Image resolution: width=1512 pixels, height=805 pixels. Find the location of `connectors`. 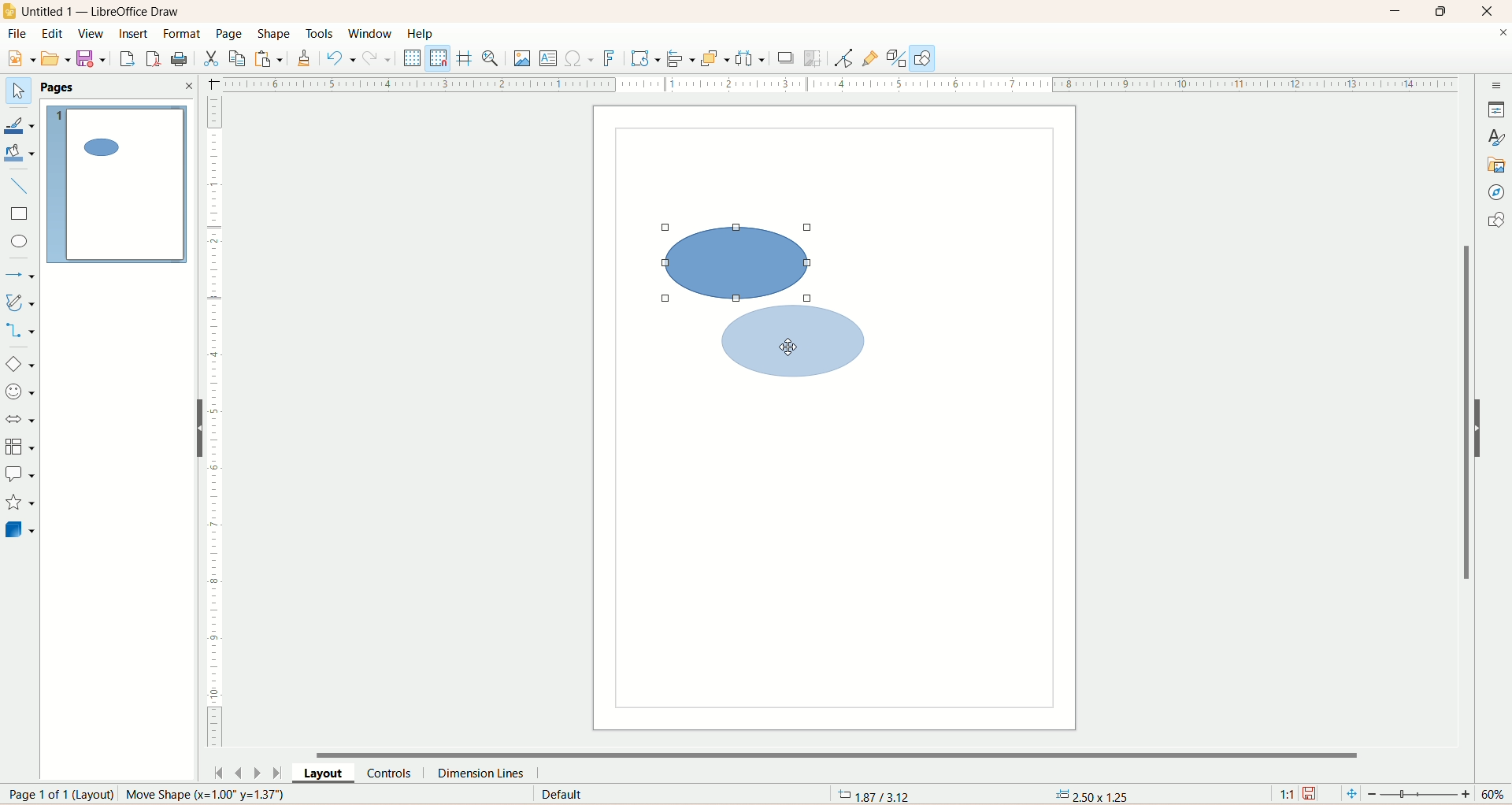

connectors is located at coordinates (21, 331).